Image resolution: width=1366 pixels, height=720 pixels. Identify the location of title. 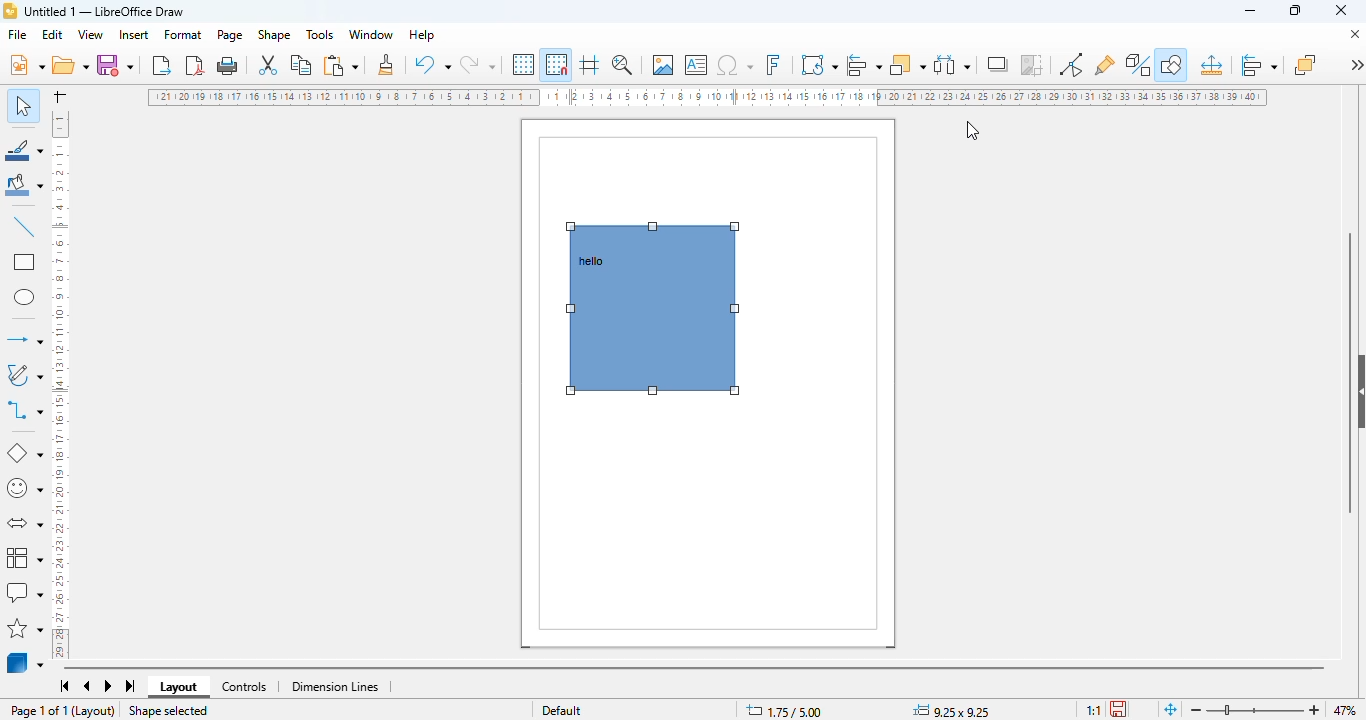
(104, 11).